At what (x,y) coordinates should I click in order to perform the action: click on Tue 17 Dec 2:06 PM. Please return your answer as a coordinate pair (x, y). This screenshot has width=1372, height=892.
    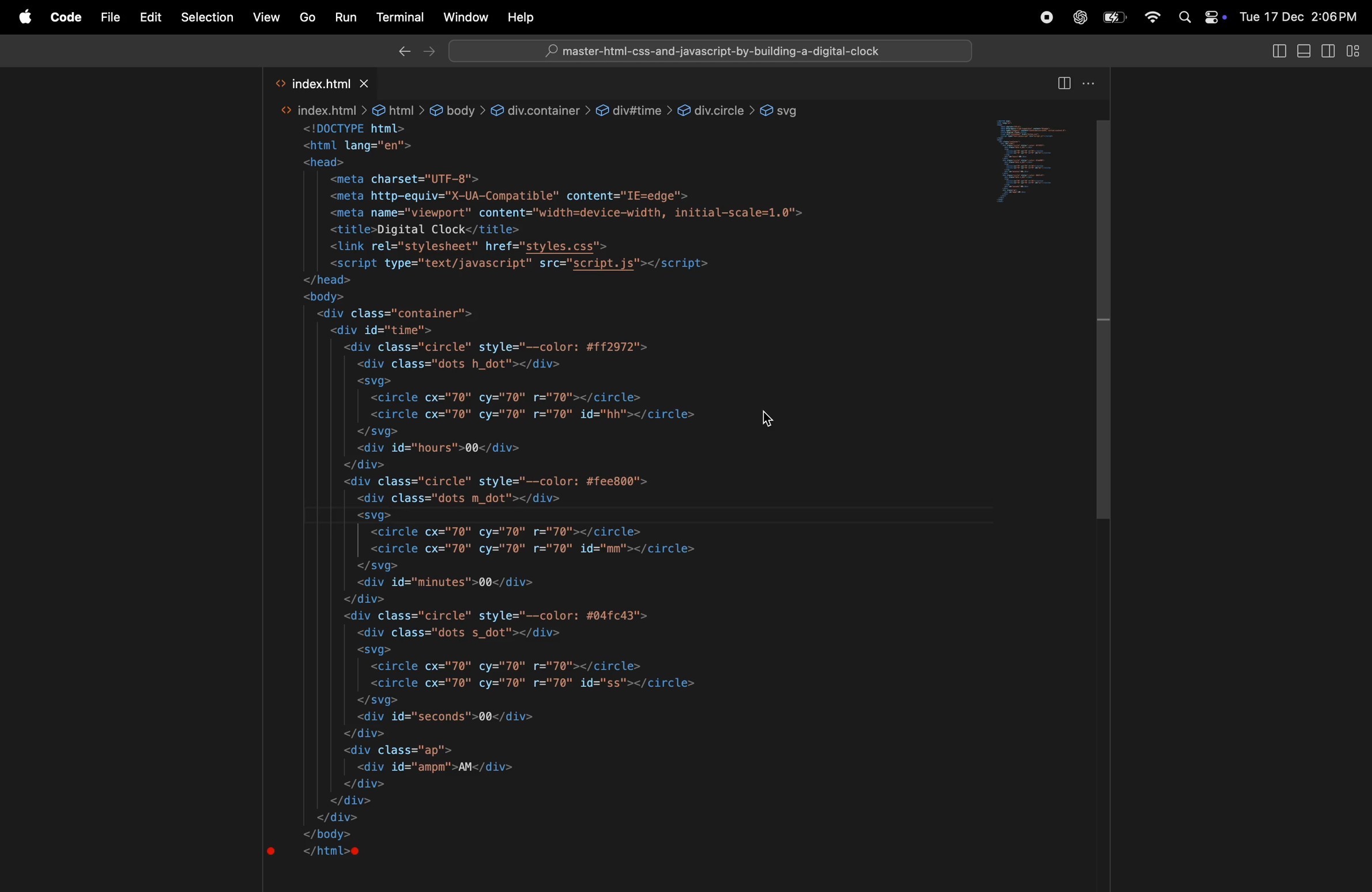
    Looking at the image, I should click on (1299, 16).